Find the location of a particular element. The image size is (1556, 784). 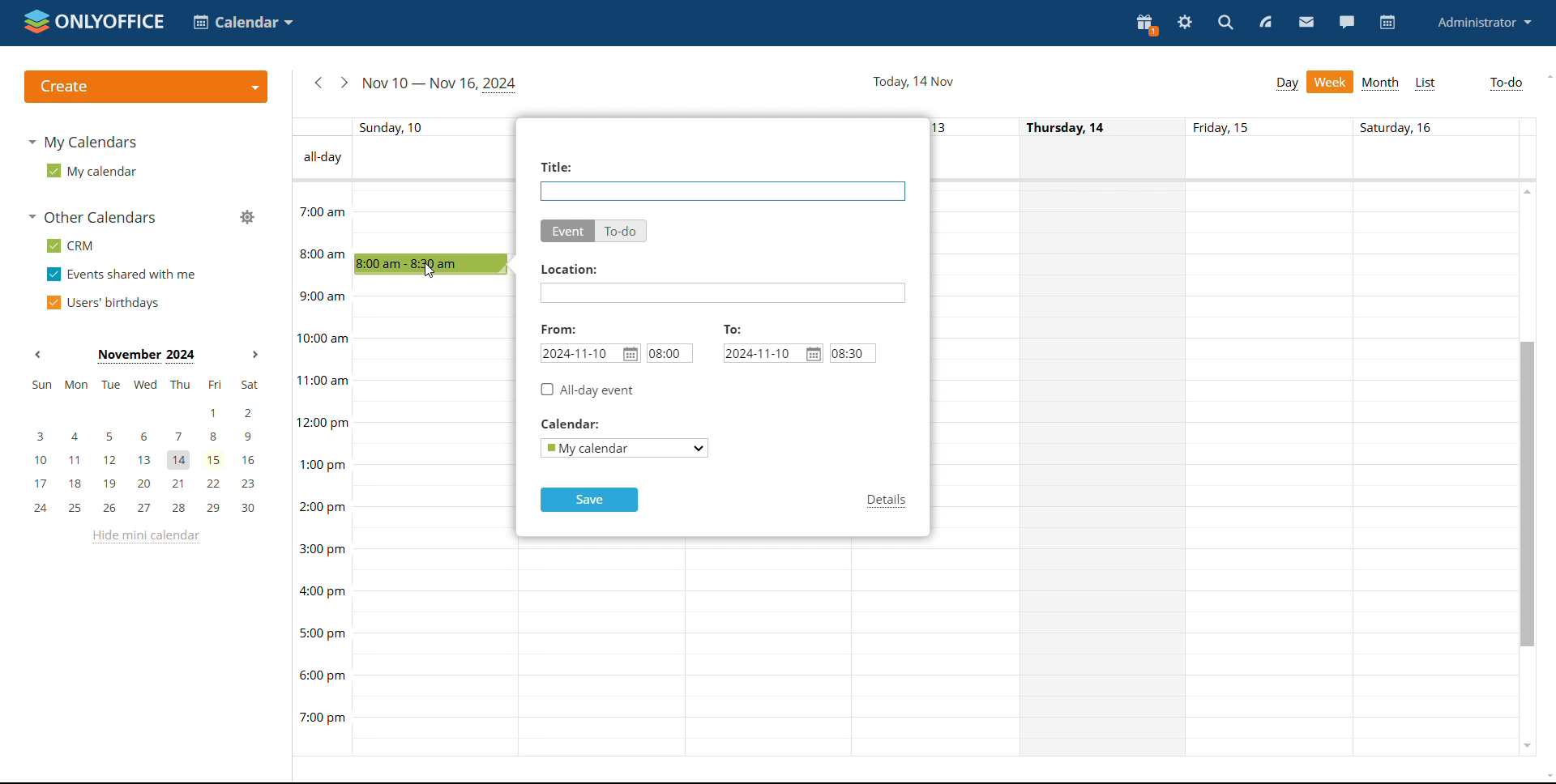

calendar: is located at coordinates (590, 424).